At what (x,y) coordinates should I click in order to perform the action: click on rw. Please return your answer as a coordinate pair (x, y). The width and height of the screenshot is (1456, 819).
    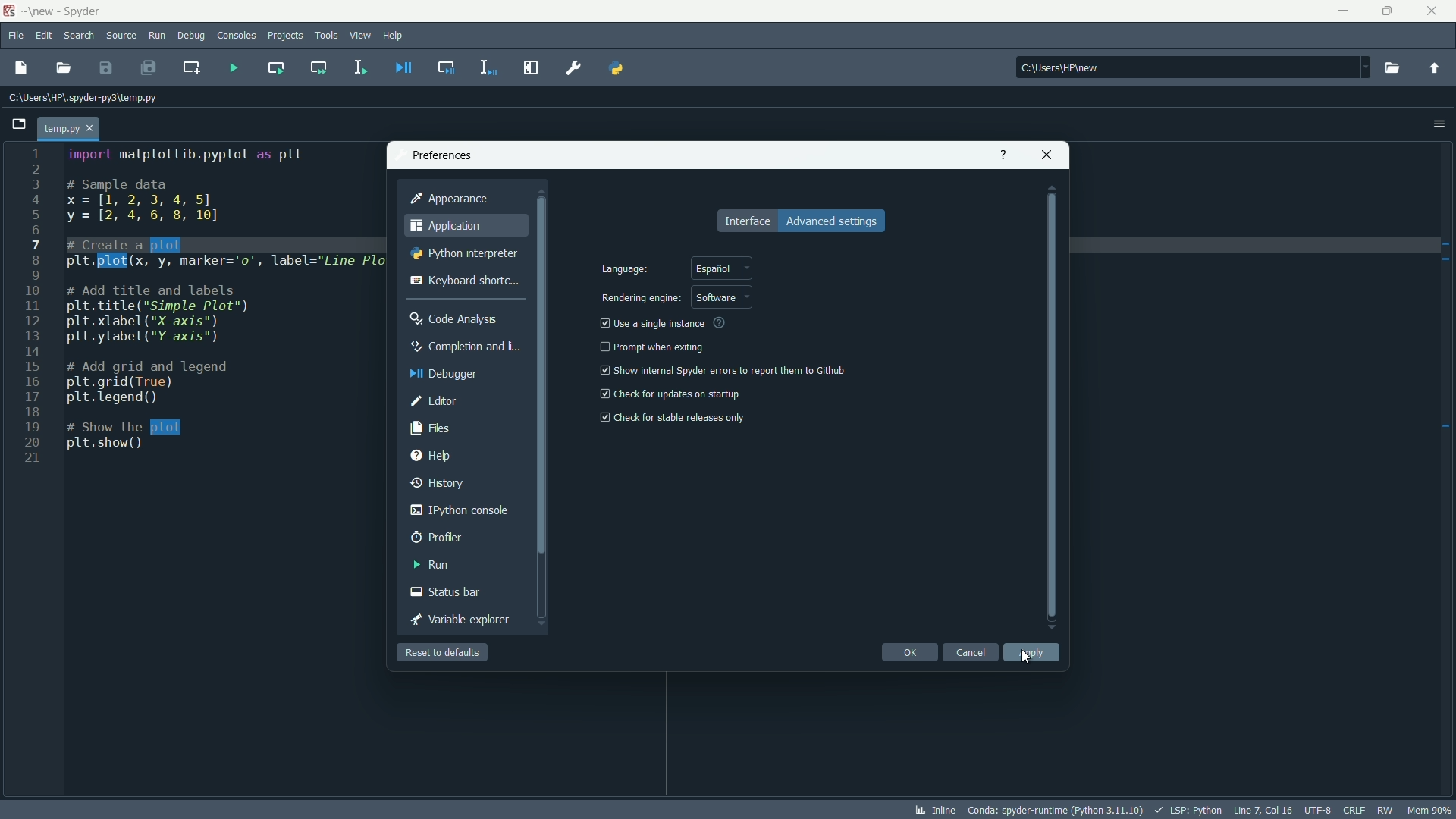
    Looking at the image, I should click on (1385, 808).